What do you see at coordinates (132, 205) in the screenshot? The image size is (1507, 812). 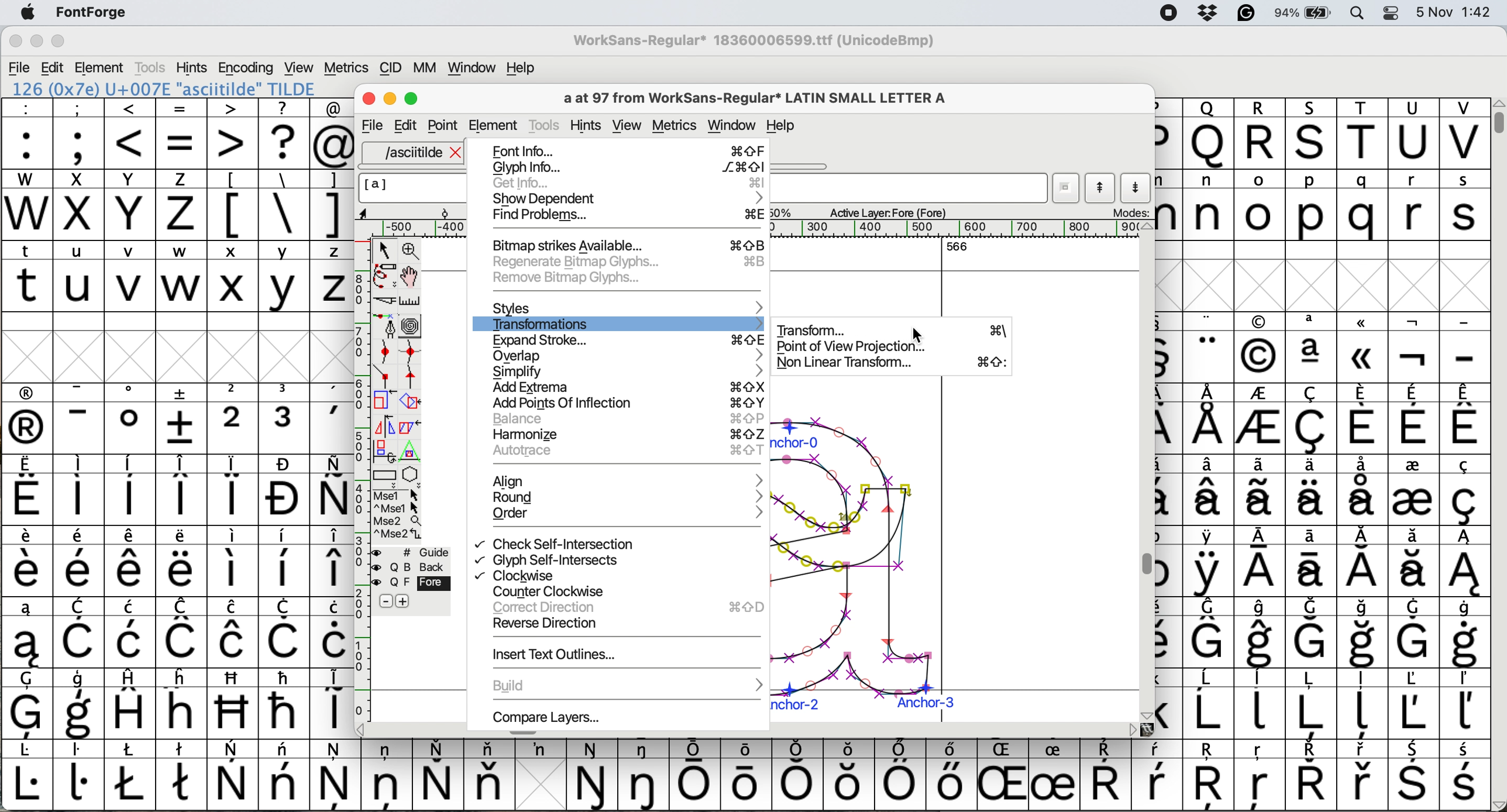 I see `Y` at bounding box center [132, 205].